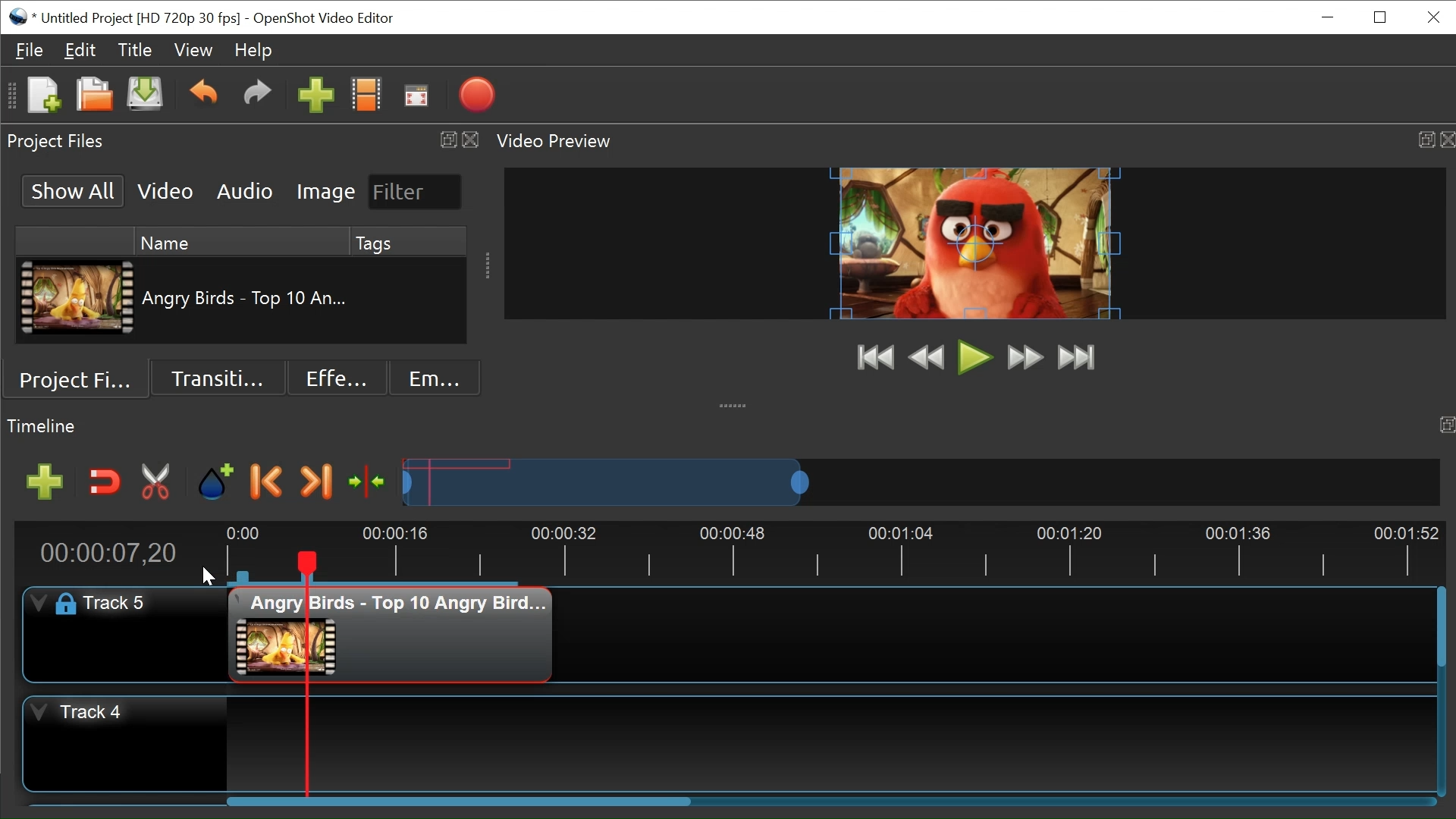  What do you see at coordinates (31, 50) in the screenshot?
I see `File` at bounding box center [31, 50].